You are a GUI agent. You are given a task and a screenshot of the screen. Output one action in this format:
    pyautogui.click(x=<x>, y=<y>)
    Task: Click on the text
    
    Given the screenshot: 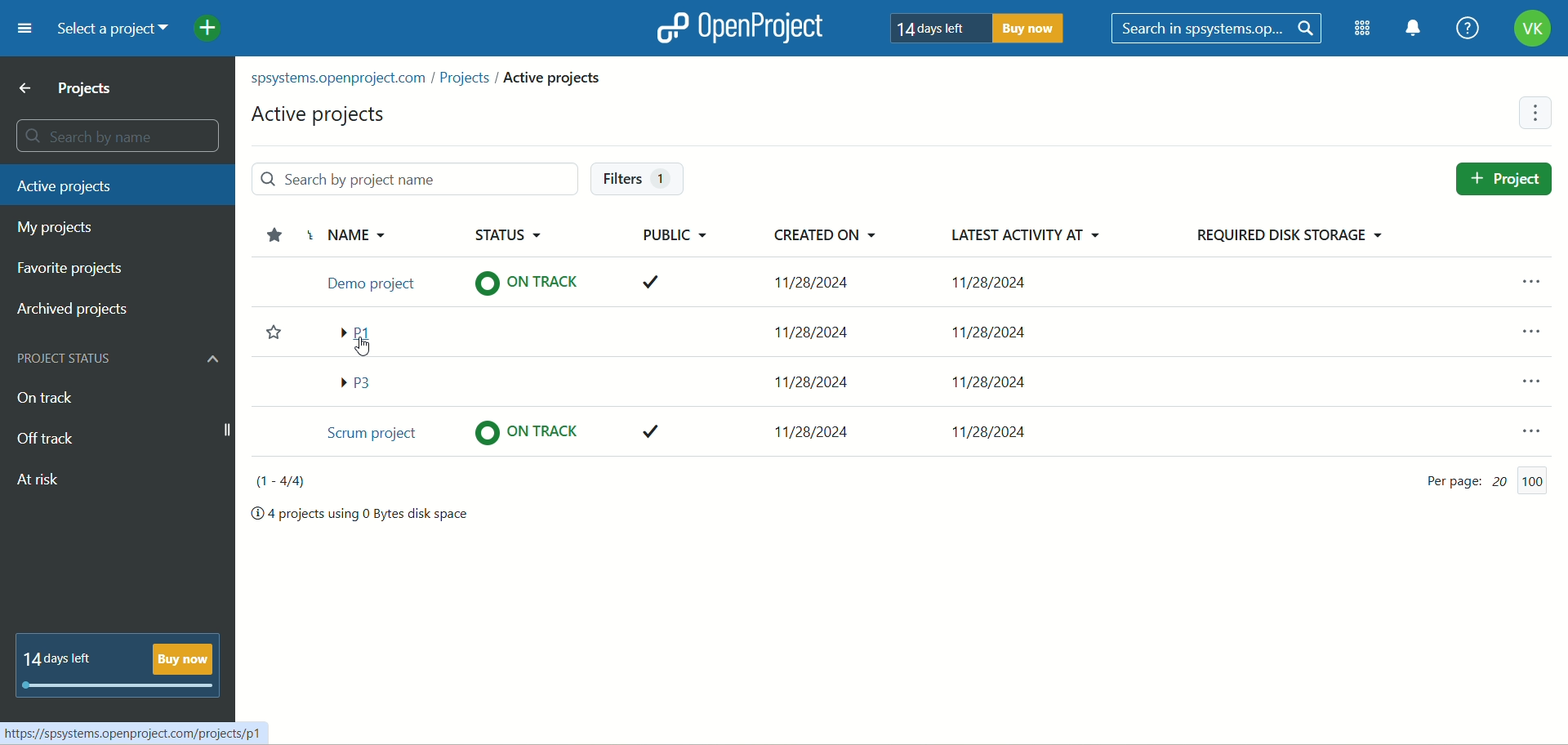 What is the action you would take?
    pyautogui.click(x=121, y=663)
    